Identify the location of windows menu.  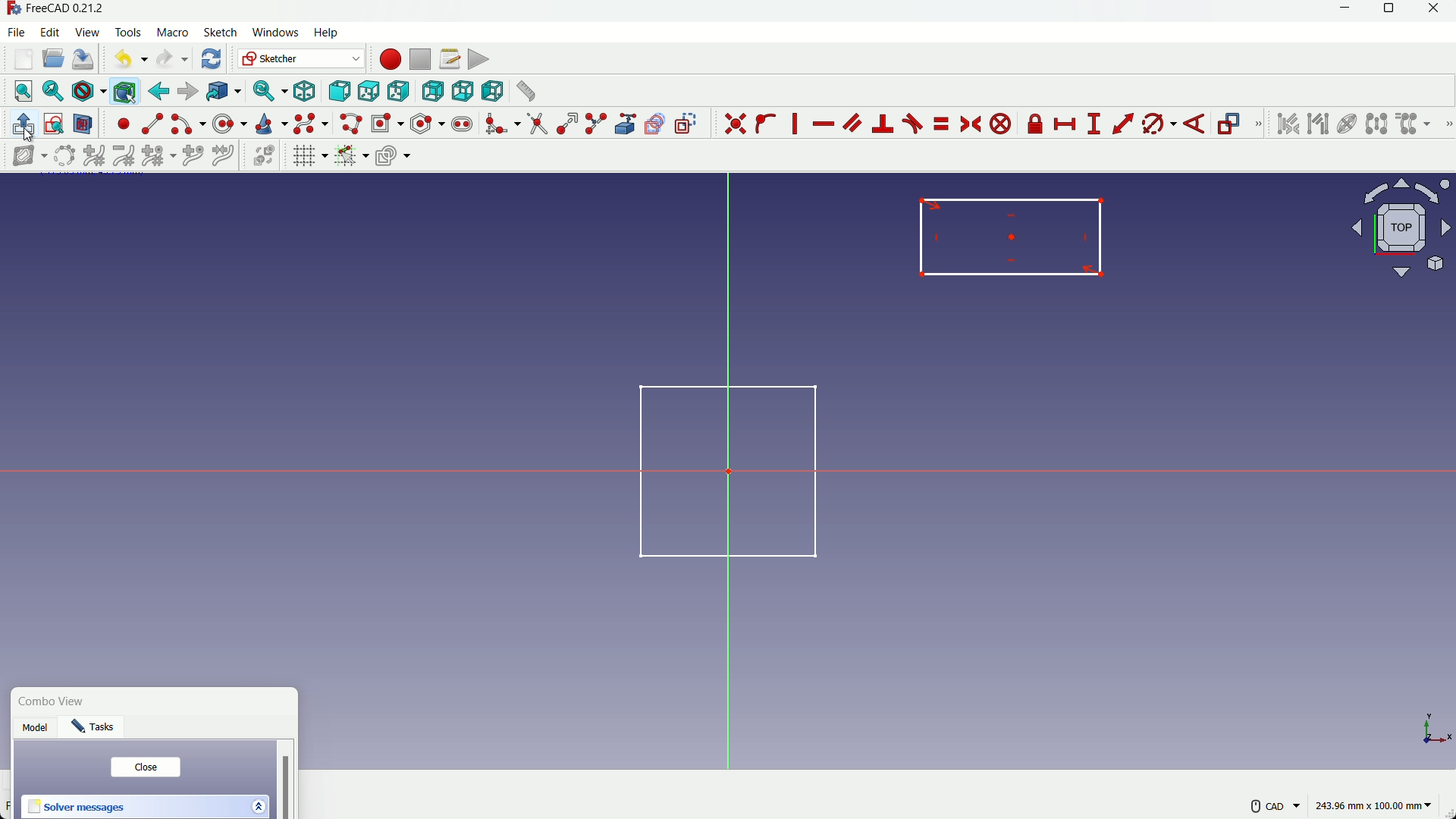
(275, 33).